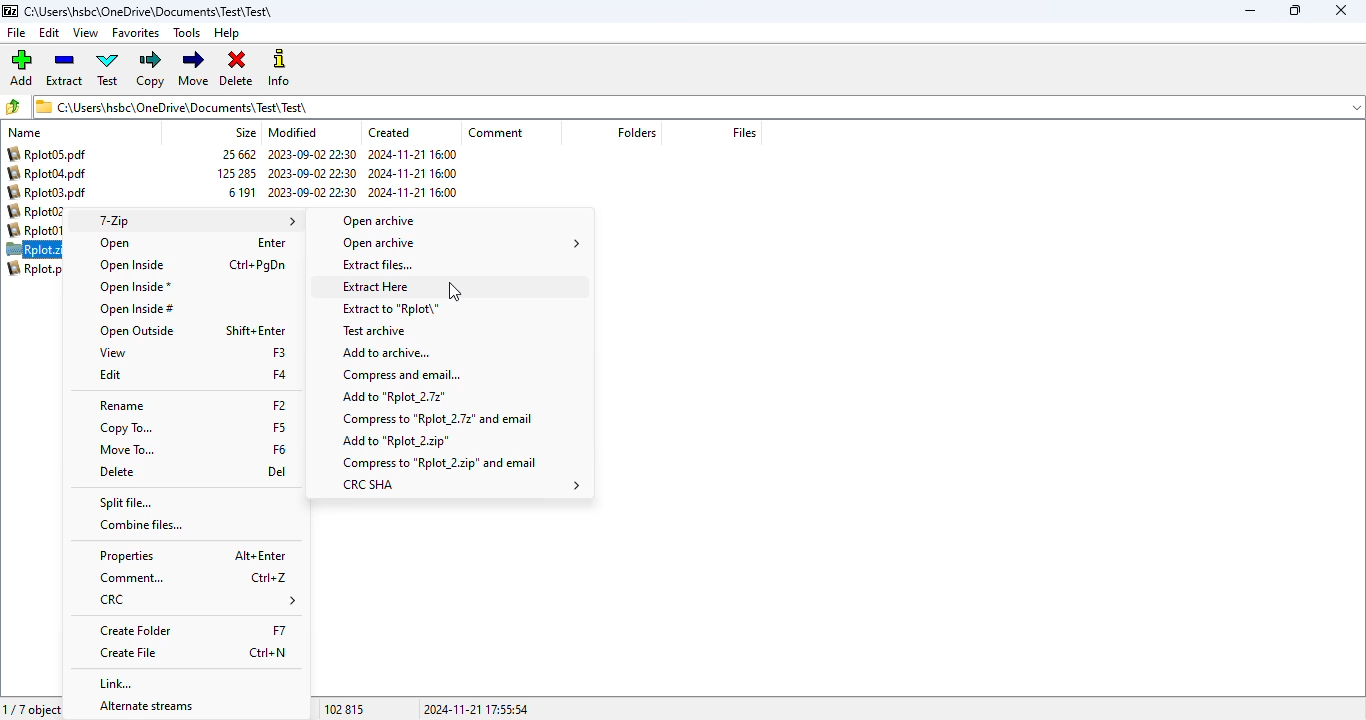 Image resolution: width=1366 pixels, height=720 pixels. Describe the element at coordinates (111, 353) in the screenshot. I see `view` at that location.